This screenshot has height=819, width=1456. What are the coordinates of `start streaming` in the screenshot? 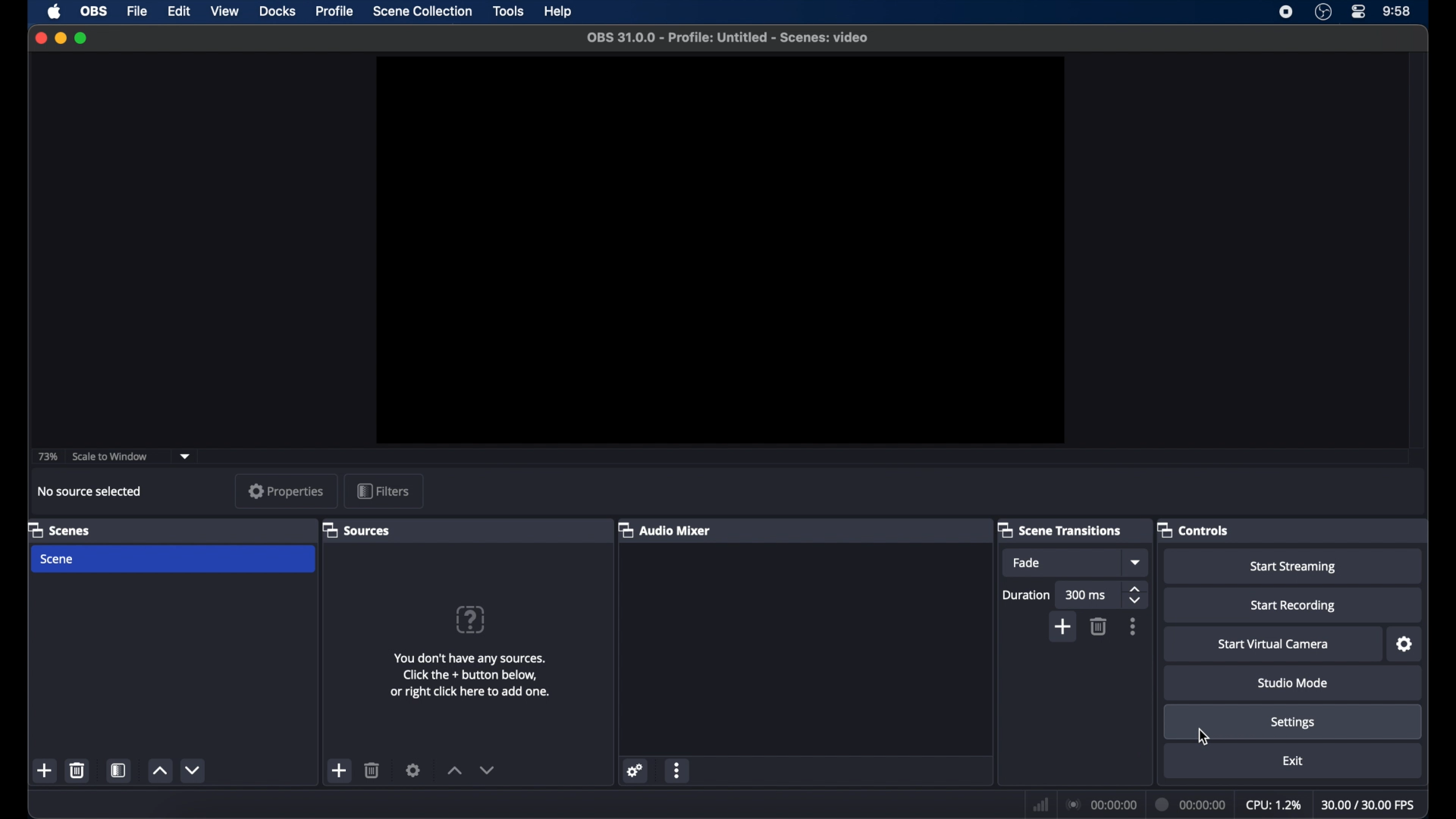 It's located at (1294, 566).